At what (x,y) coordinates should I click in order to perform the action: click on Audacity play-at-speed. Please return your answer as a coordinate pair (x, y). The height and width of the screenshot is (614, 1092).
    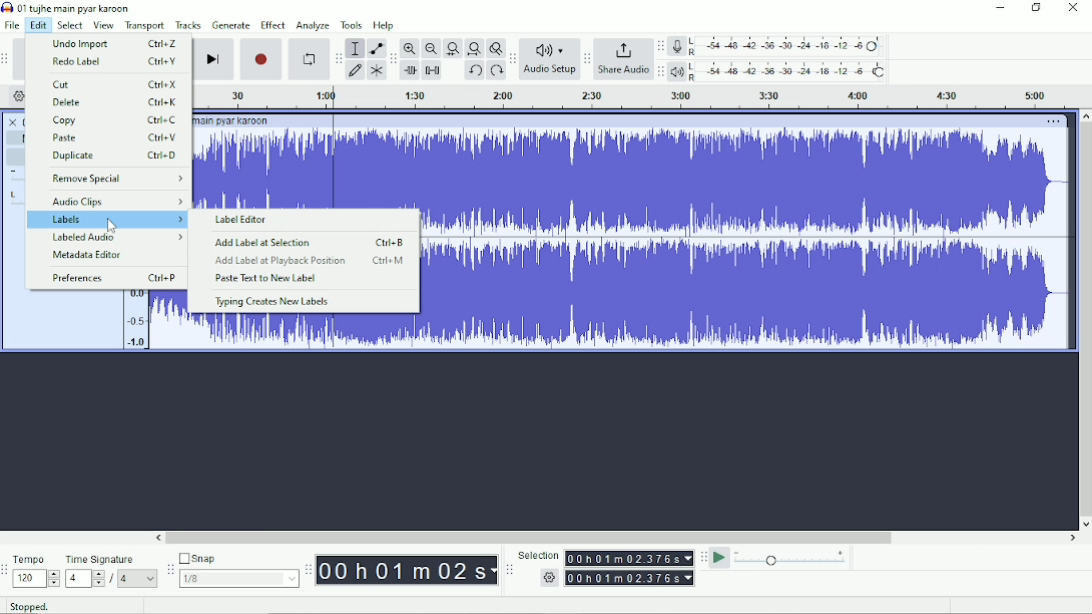
    Looking at the image, I should click on (703, 558).